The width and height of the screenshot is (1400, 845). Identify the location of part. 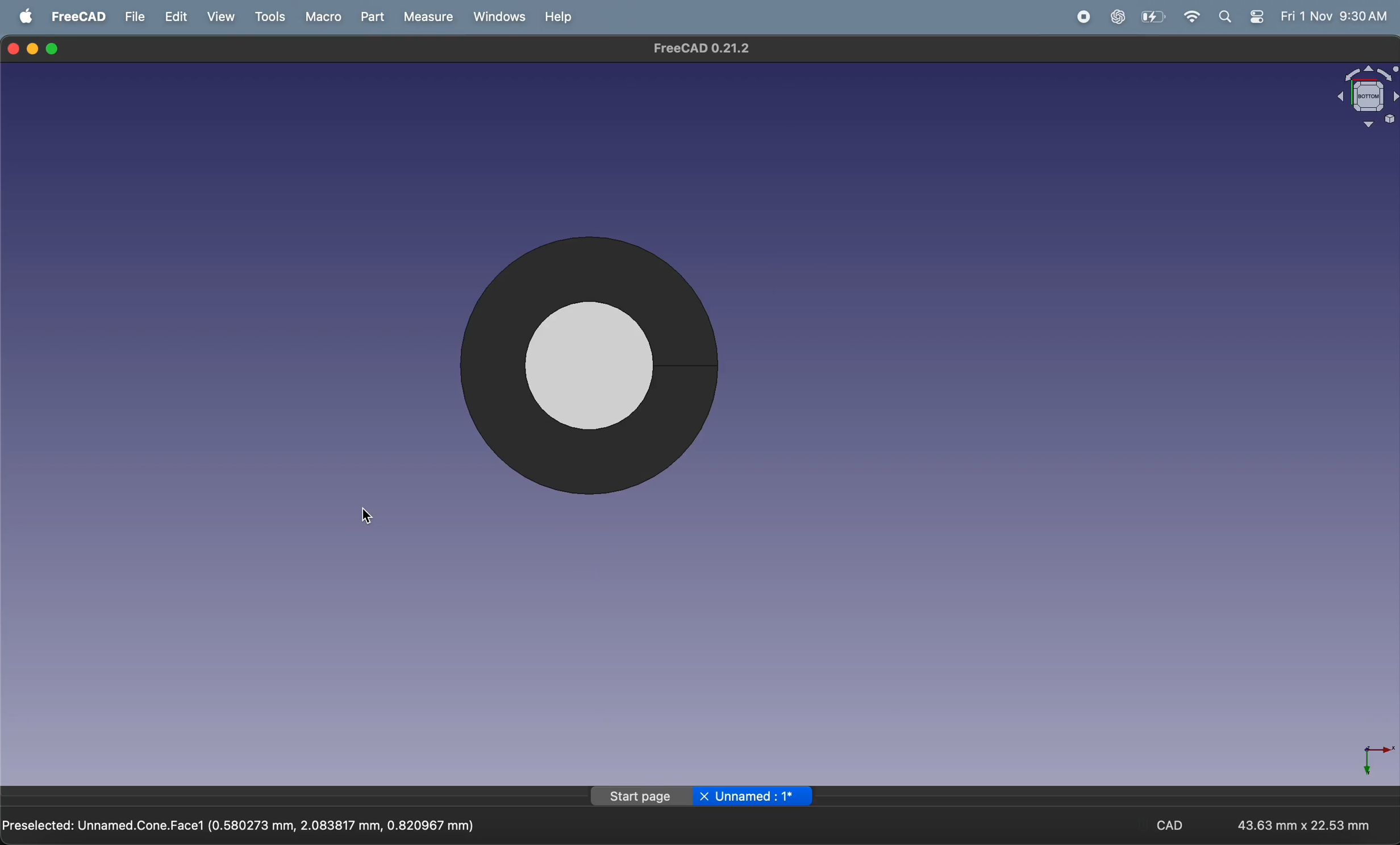
(368, 17).